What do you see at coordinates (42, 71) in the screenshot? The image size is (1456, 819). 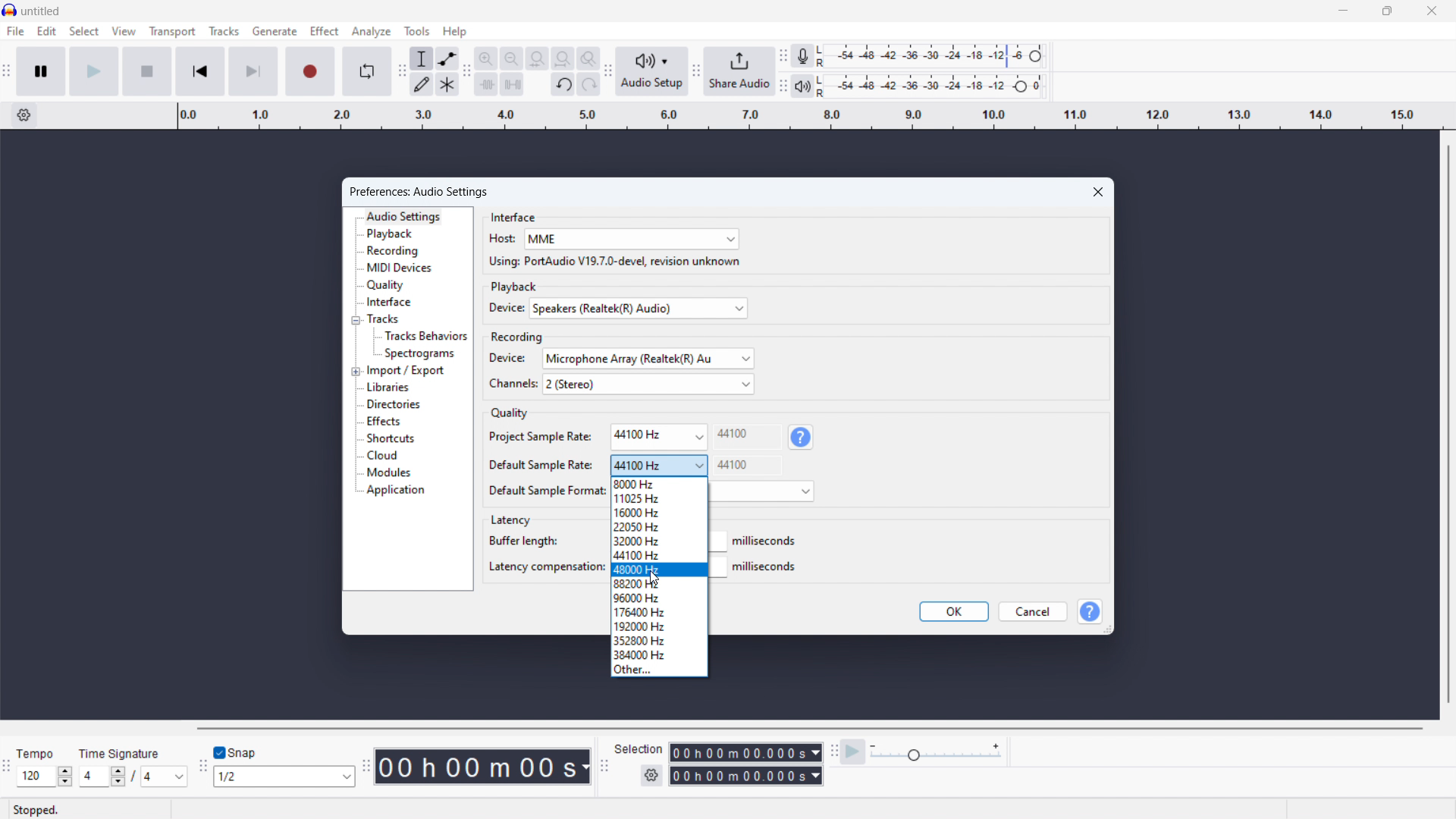 I see `pause` at bounding box center [42, 71].